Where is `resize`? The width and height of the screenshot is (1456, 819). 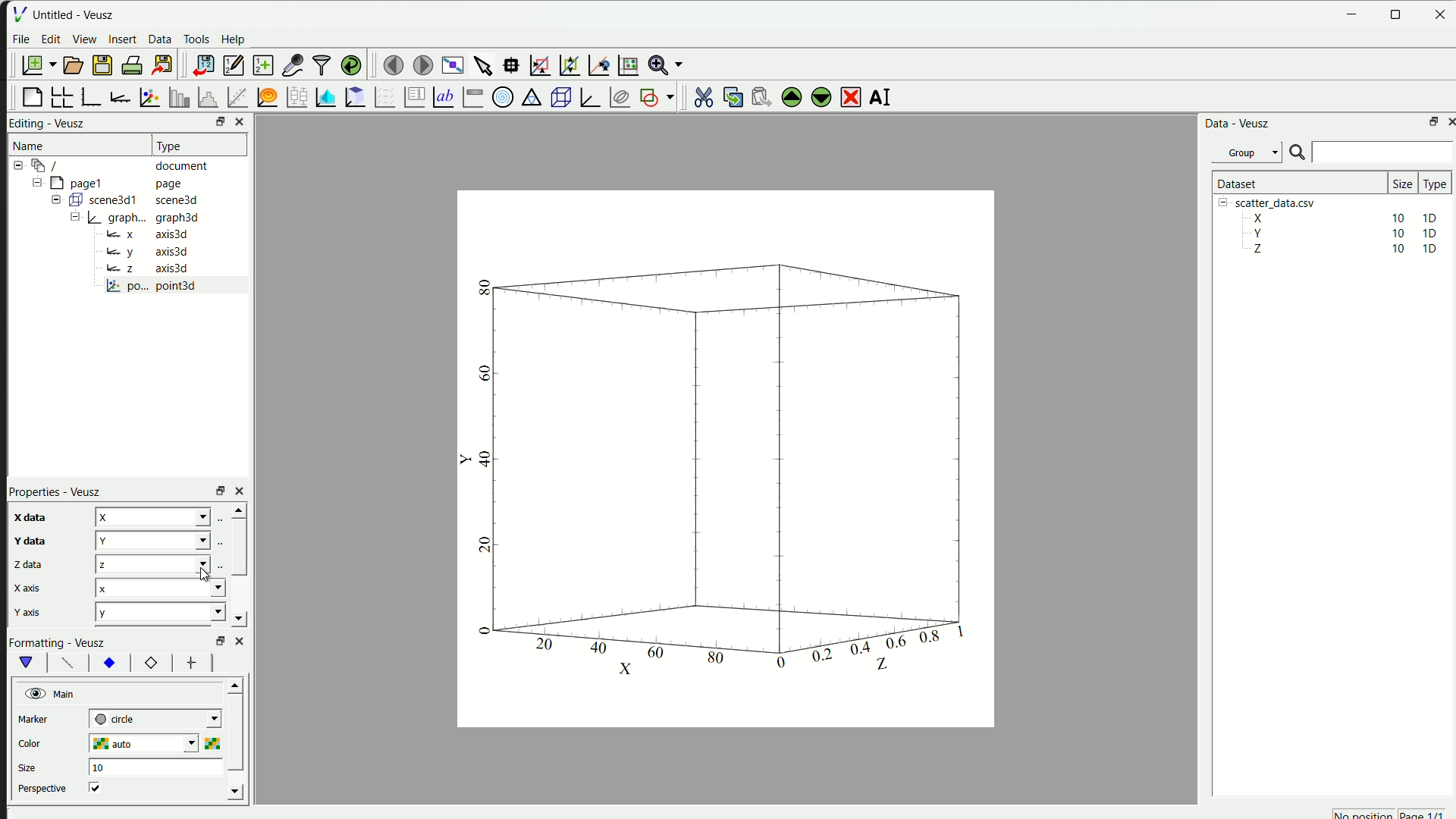 resize is located at coordinates (1397, 14).